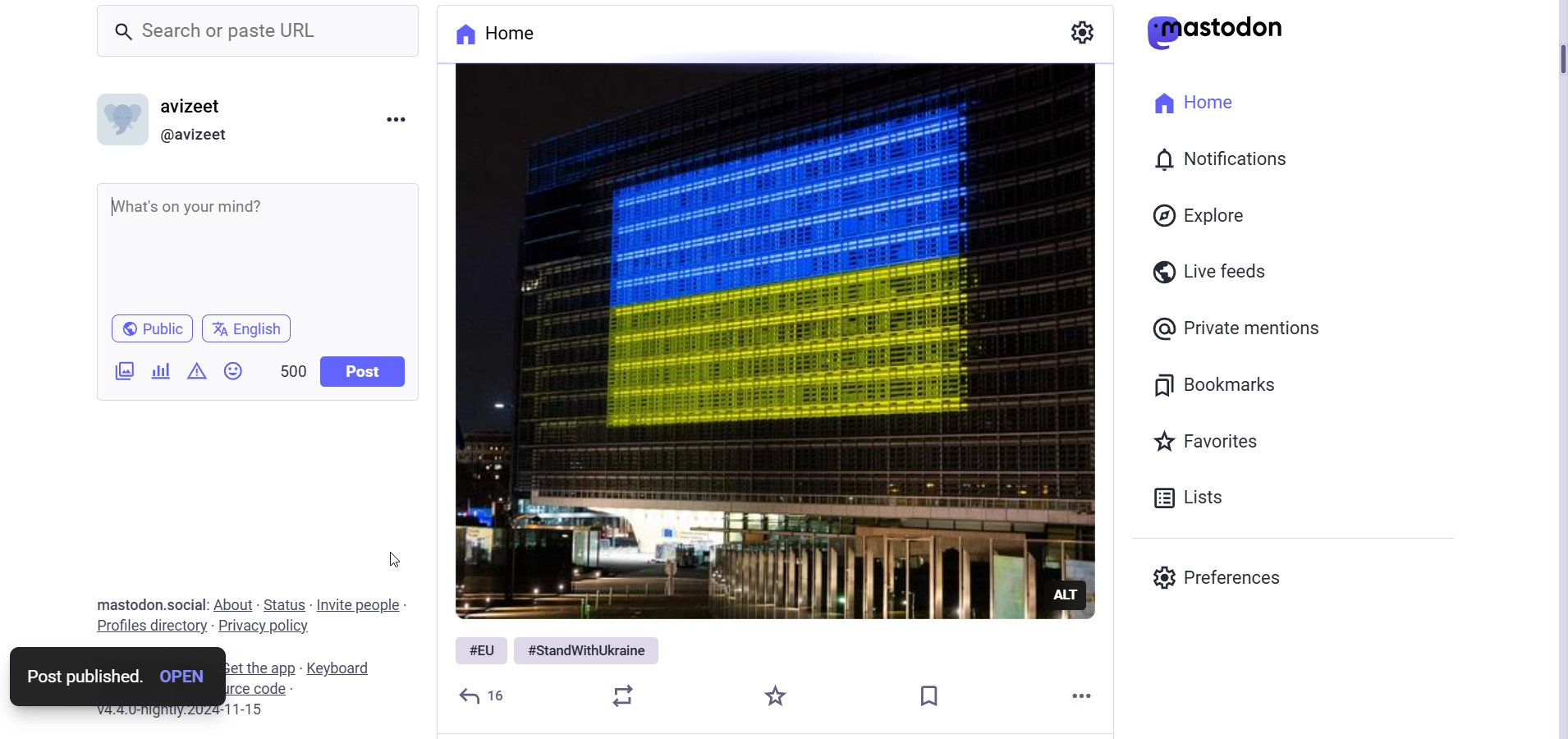 Image resolution: width=1568 pixels, height=739 pixels. What do you see at coordinates (152, 328) in the screenshot?
I see `Public` at bounding box center [152, 328].